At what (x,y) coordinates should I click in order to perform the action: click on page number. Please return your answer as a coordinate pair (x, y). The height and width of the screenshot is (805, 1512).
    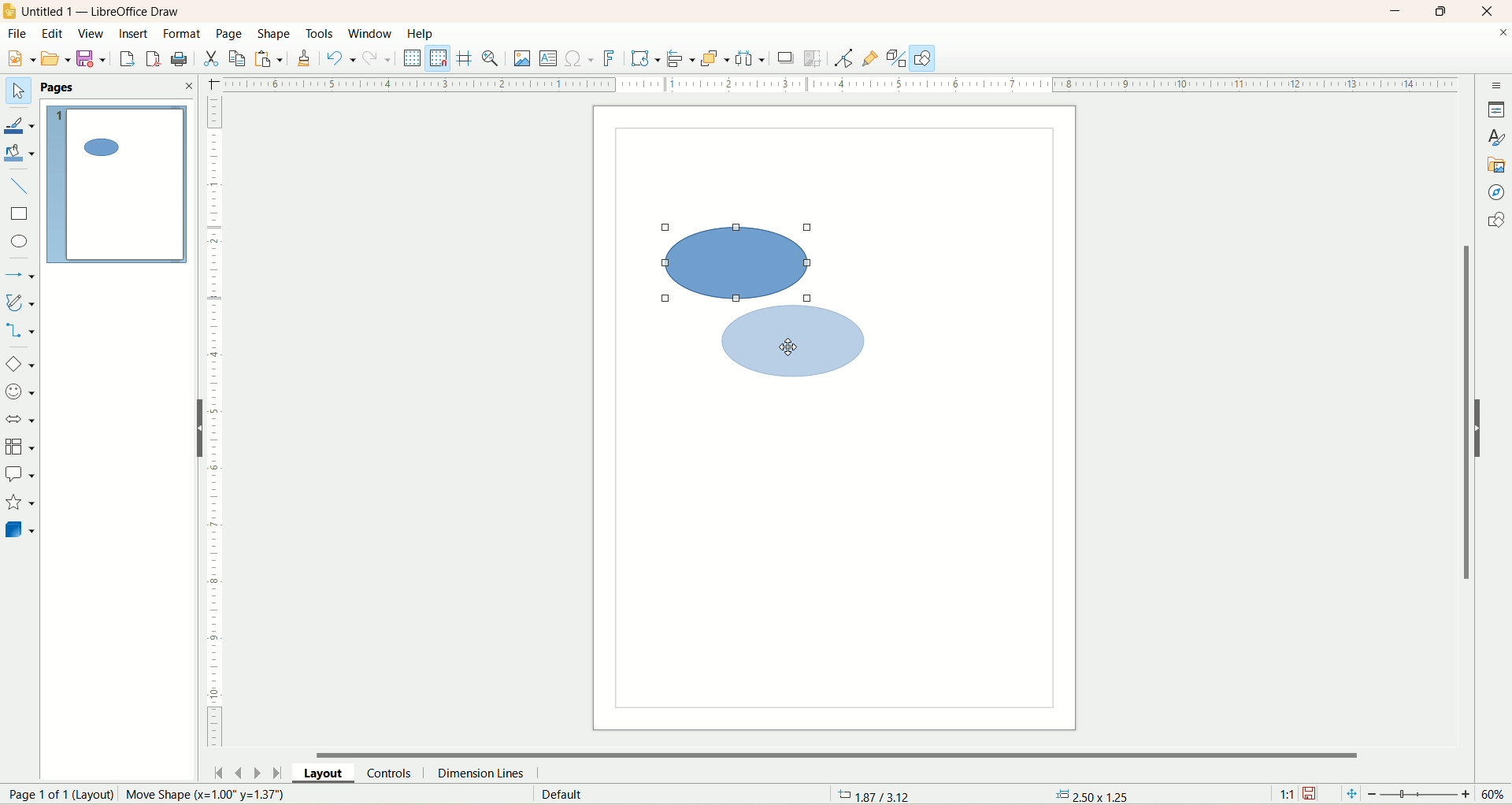
    Looking at the image, I should click on (146, 794).